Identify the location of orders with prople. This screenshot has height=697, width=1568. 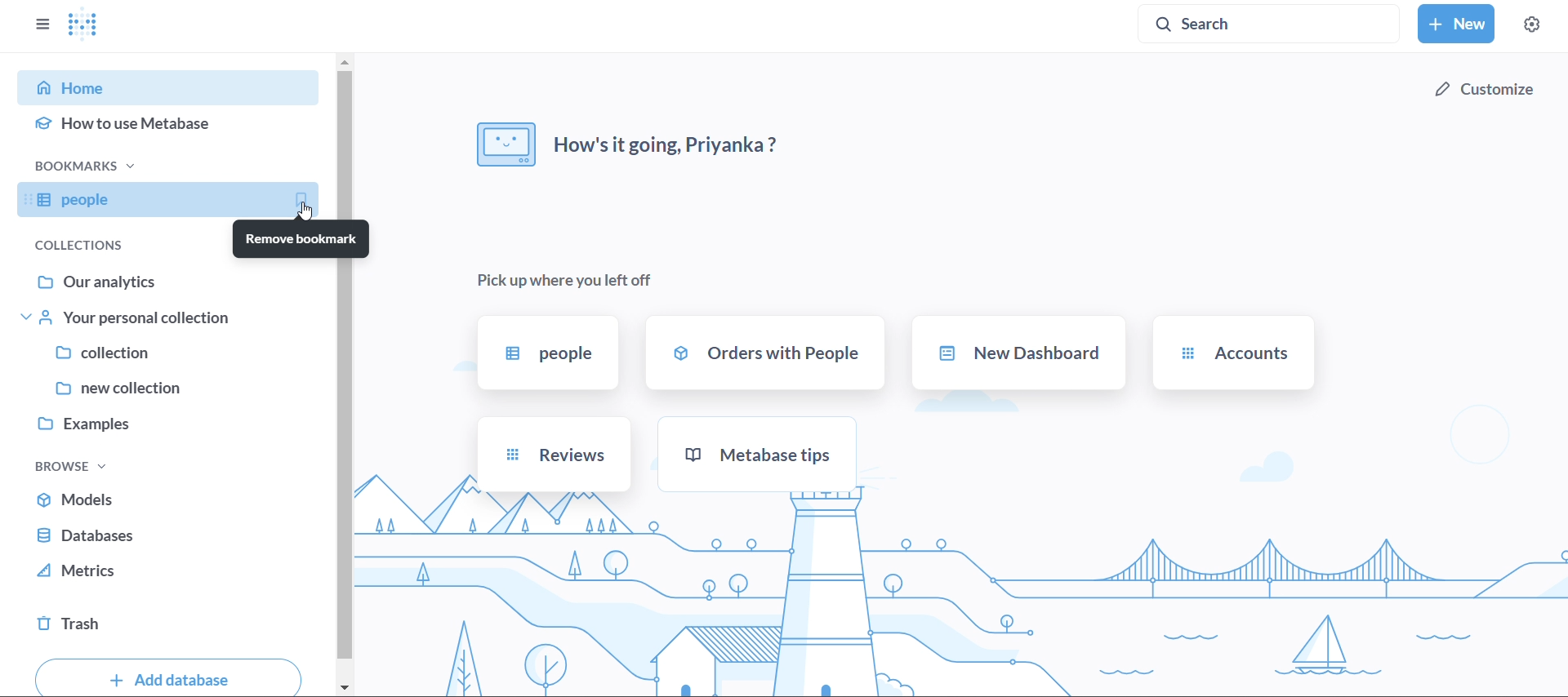
(766, 353).